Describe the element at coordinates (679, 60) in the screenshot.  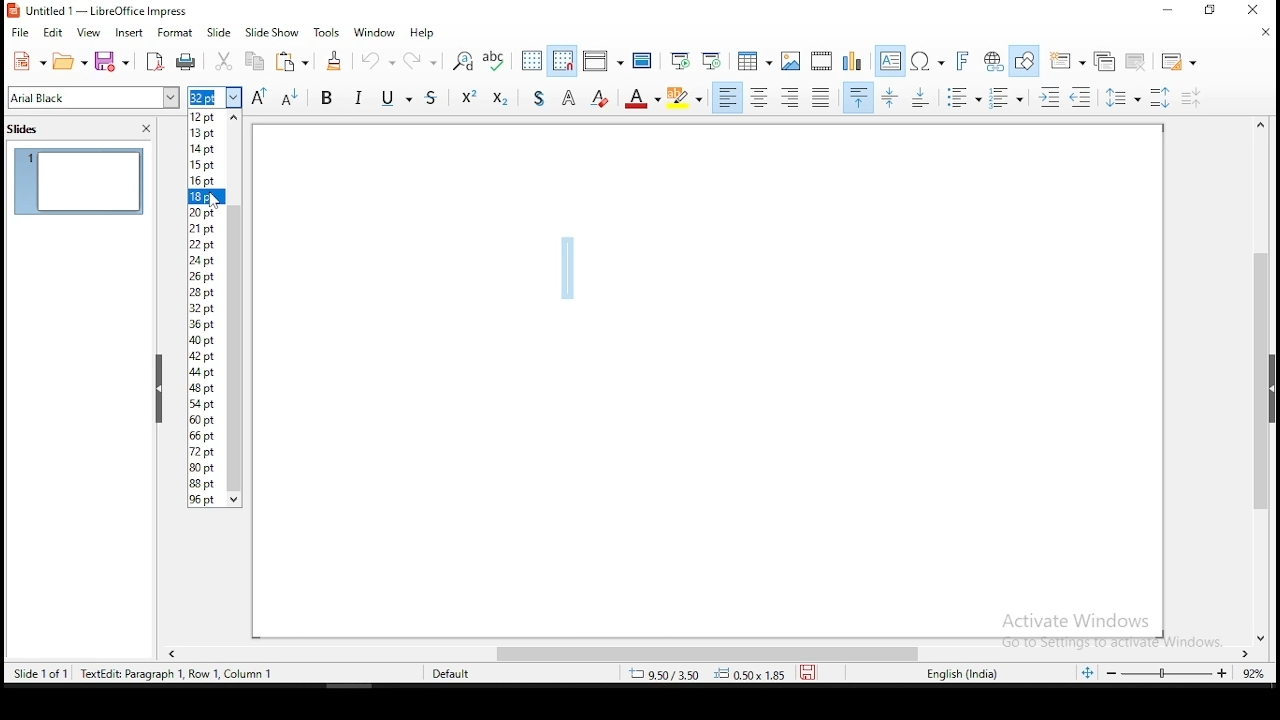
I see `start from first slide` at that location.